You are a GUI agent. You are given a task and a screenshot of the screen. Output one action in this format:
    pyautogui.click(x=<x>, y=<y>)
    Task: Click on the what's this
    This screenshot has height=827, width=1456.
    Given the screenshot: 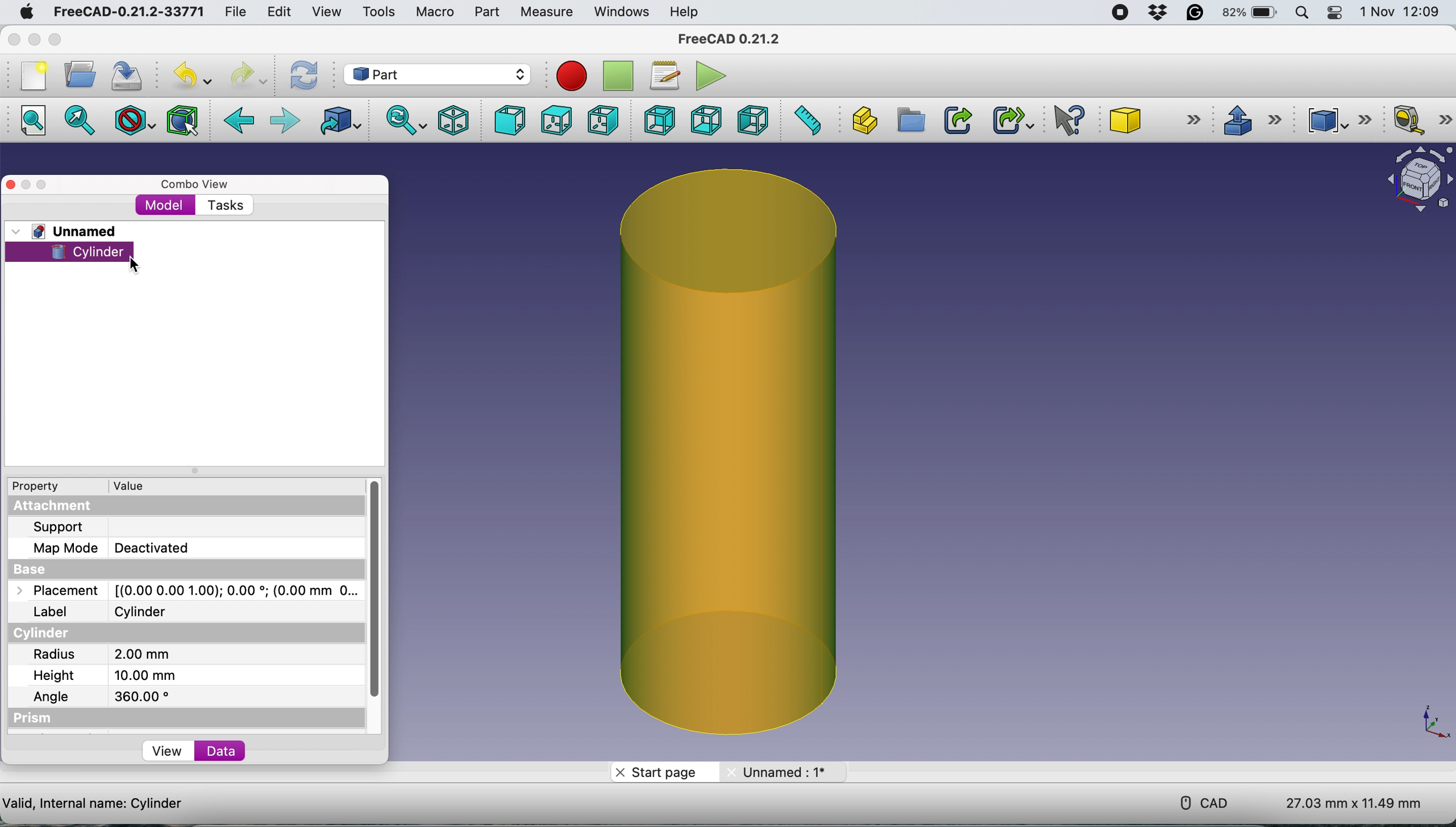 What is the action you would take?
    pyautogui.click(x=1063, y=120)
    